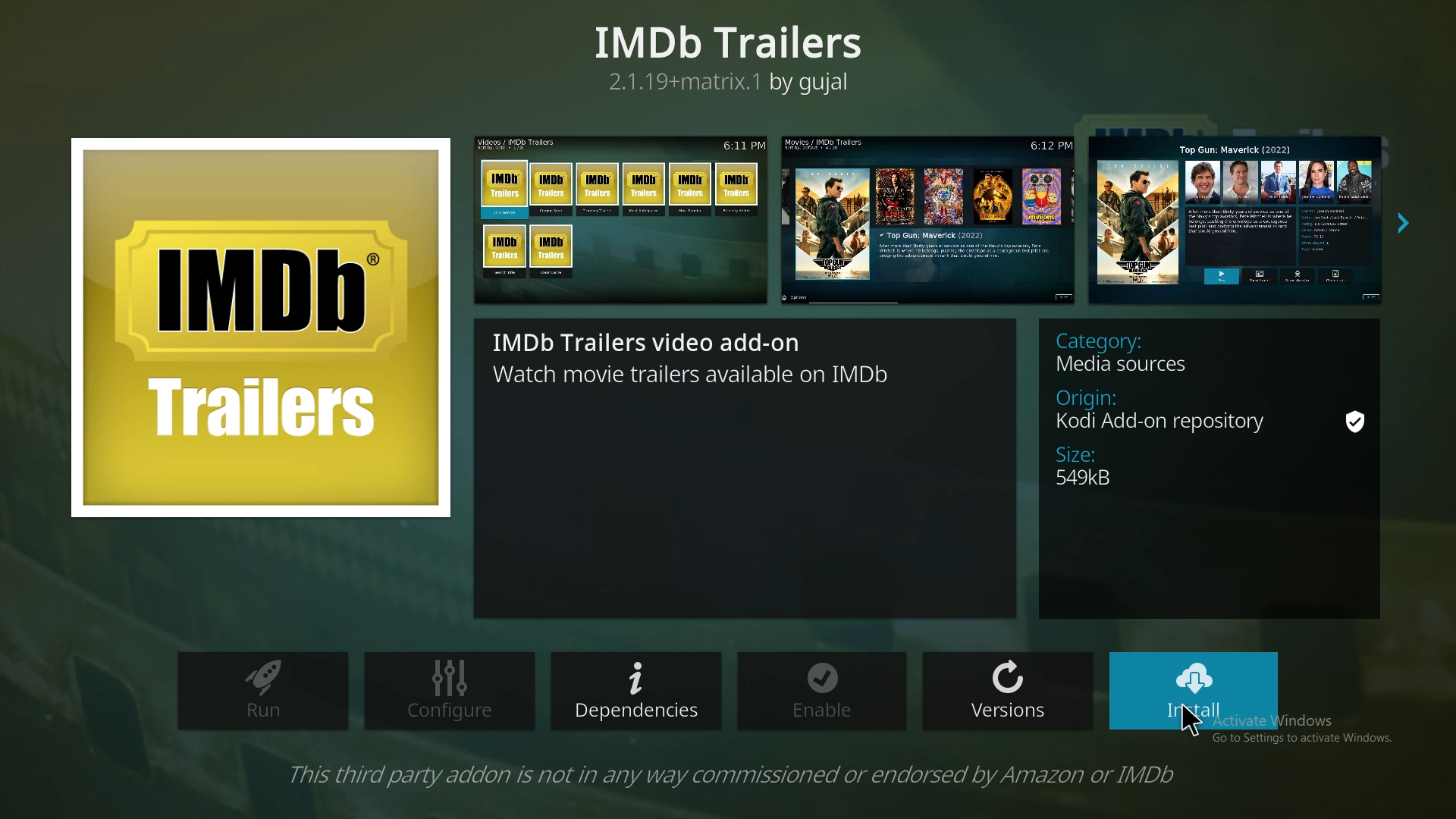 The width and height of the screenshot is (1456, 819). What do you see at coordinates (928, 219) in the screenshot?
I see `preview` at bounding box center [928, 219].